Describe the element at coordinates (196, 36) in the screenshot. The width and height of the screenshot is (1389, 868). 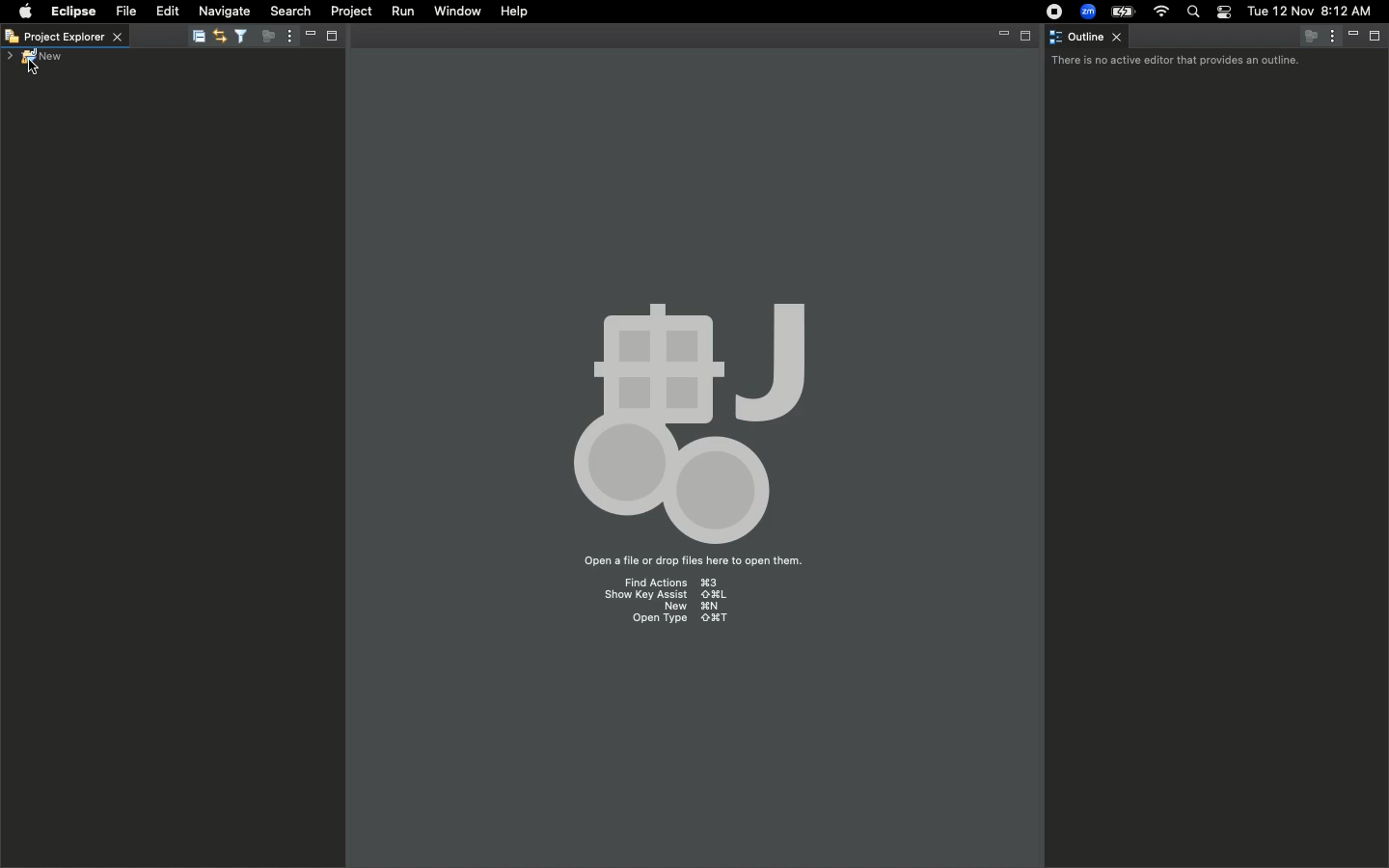
I see `Collapse` at that location.